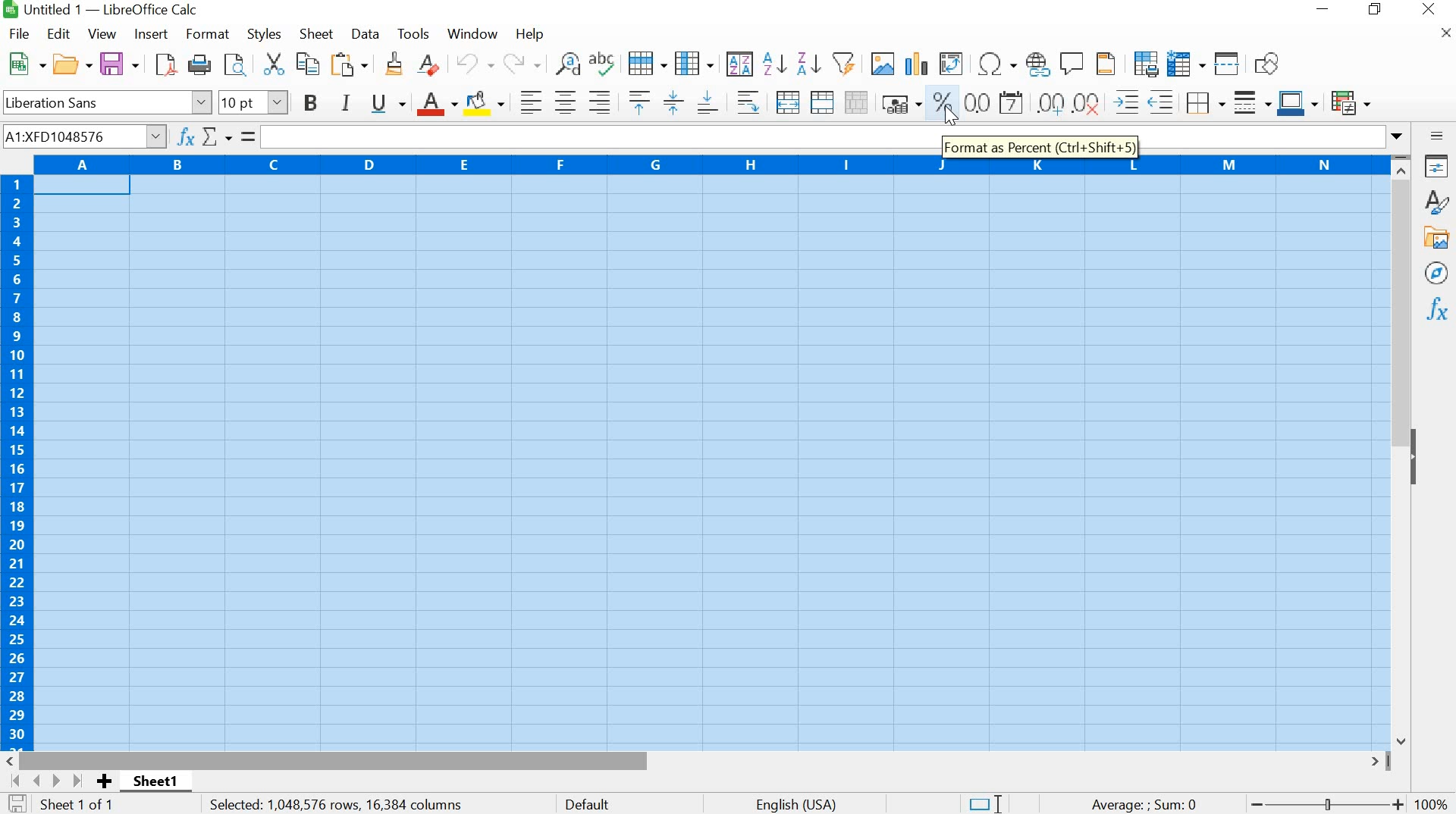  What do you see at coordinates (350, 63) in the screenshot?
I see `Paste` at bounding box center [350, 63].